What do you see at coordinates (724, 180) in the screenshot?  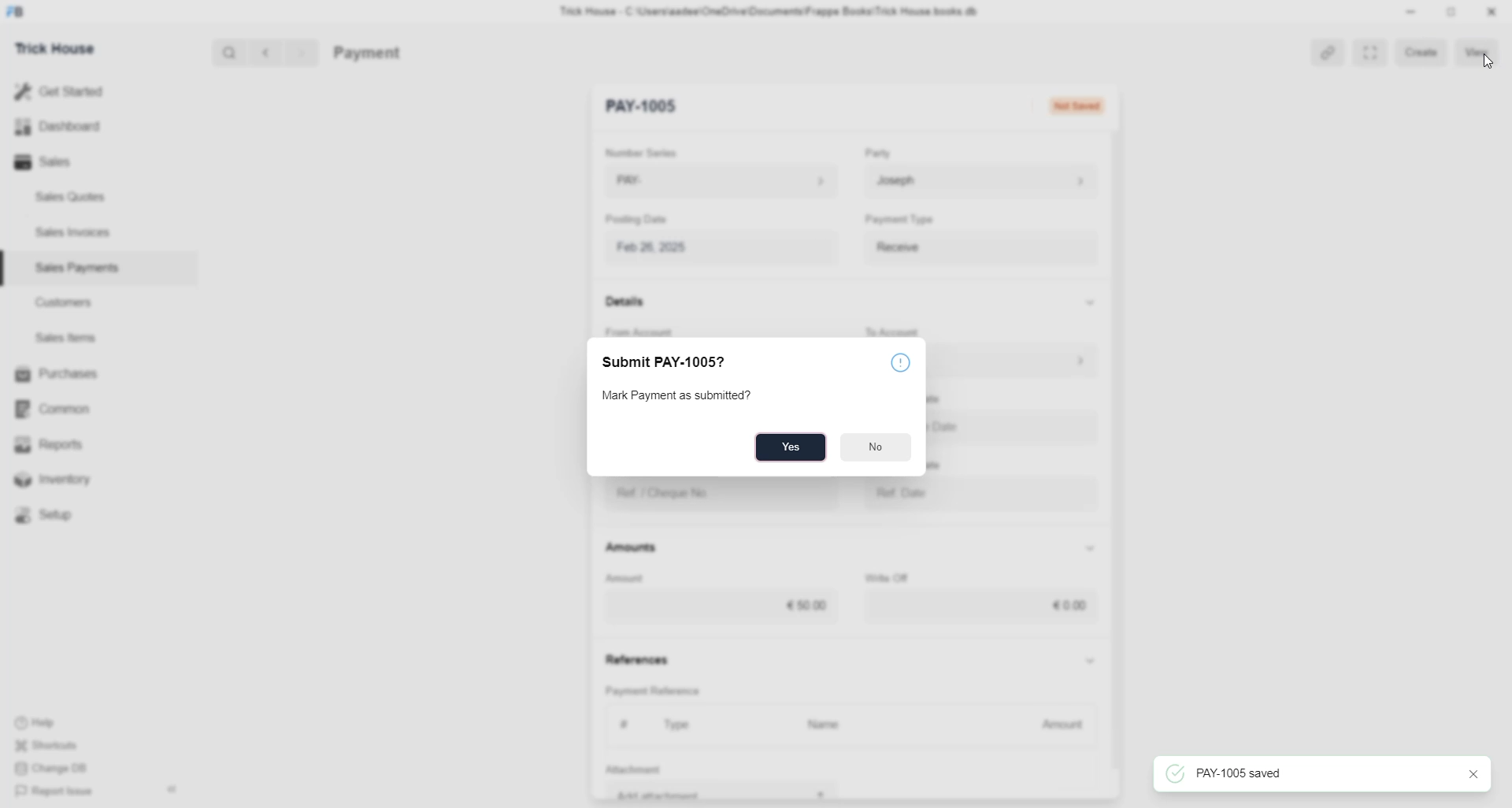 I see `PAY` at bounding box center [724, 180].